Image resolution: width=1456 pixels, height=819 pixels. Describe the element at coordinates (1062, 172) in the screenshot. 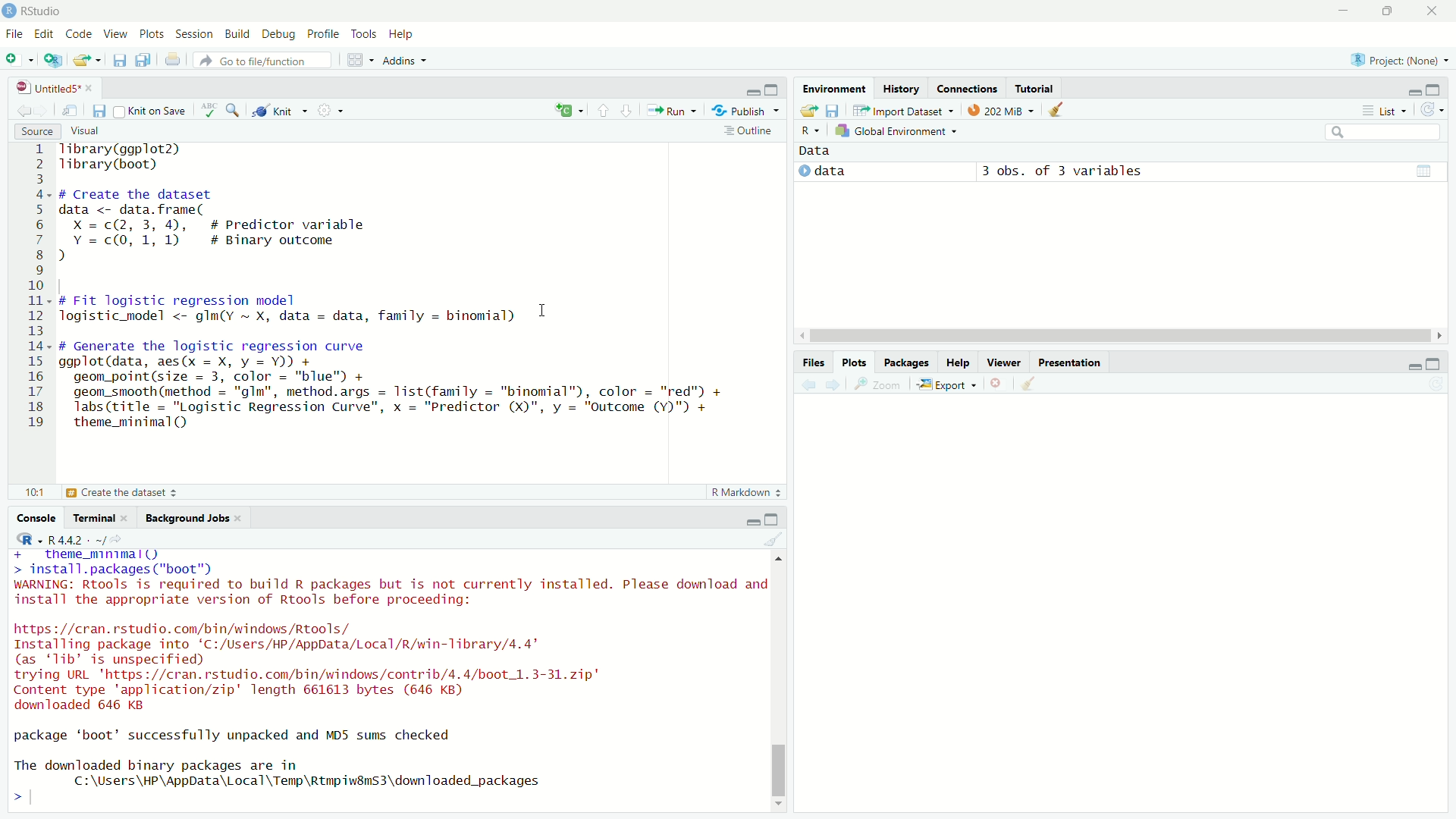

I see `3 obs. of 3 variables` at that location.